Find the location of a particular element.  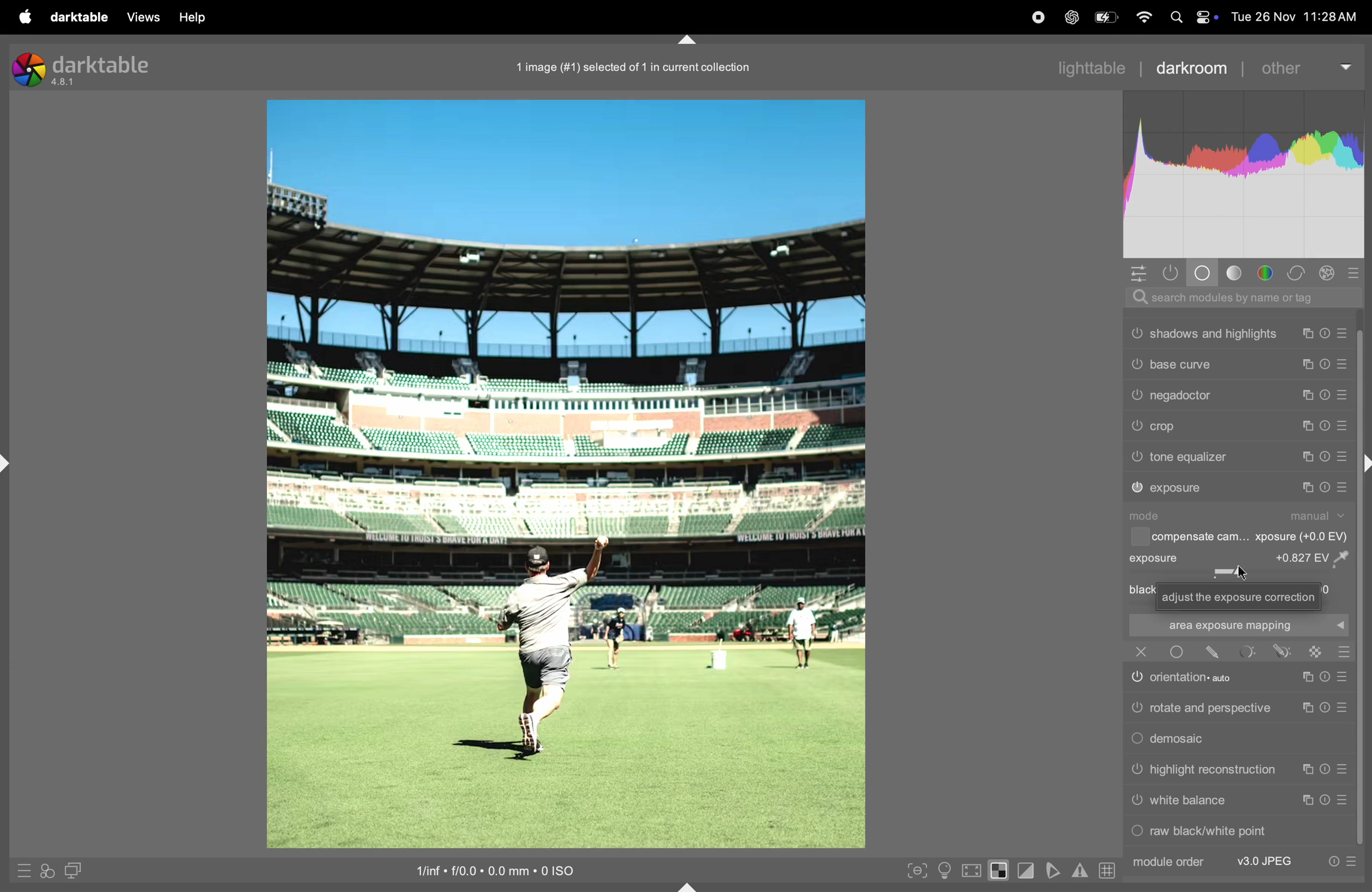

adjust the exposure correction  is located at coordinates (1239, 597).